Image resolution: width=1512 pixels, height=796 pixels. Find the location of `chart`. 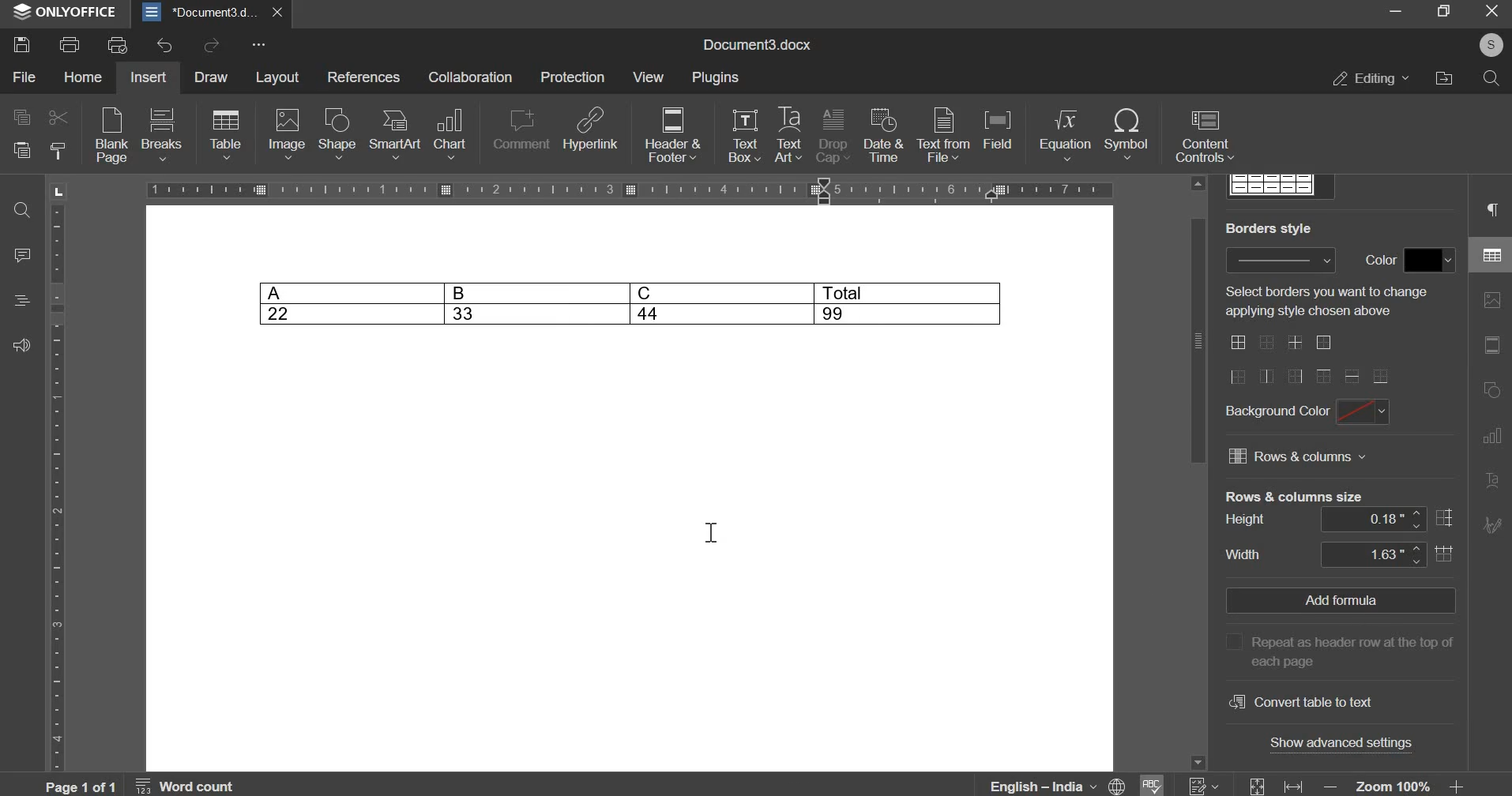

chart is located at coordinates (451, 132).